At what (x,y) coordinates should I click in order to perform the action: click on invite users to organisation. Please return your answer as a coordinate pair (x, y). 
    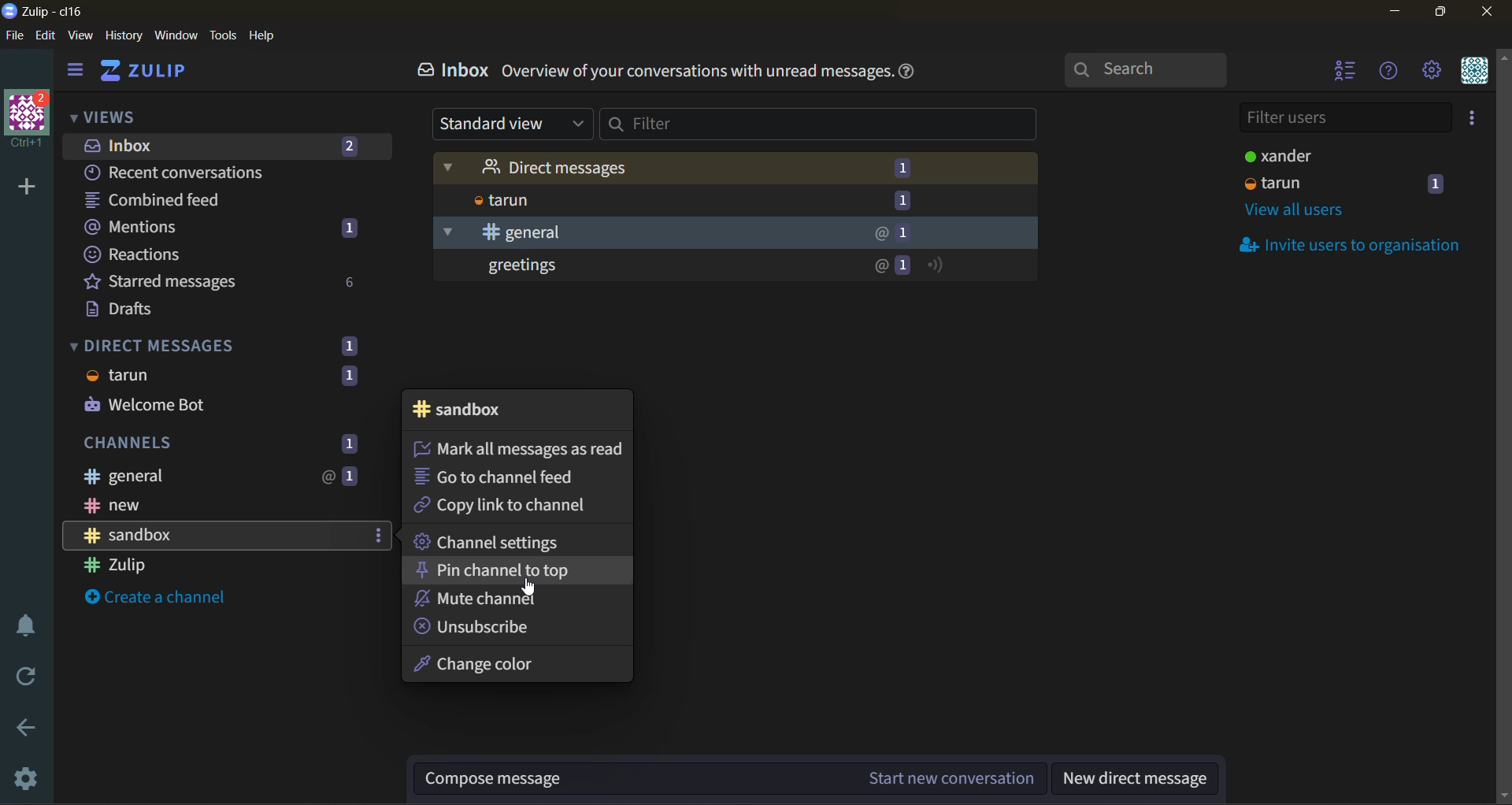
    Looking at the image, I should click on (1356, 247).